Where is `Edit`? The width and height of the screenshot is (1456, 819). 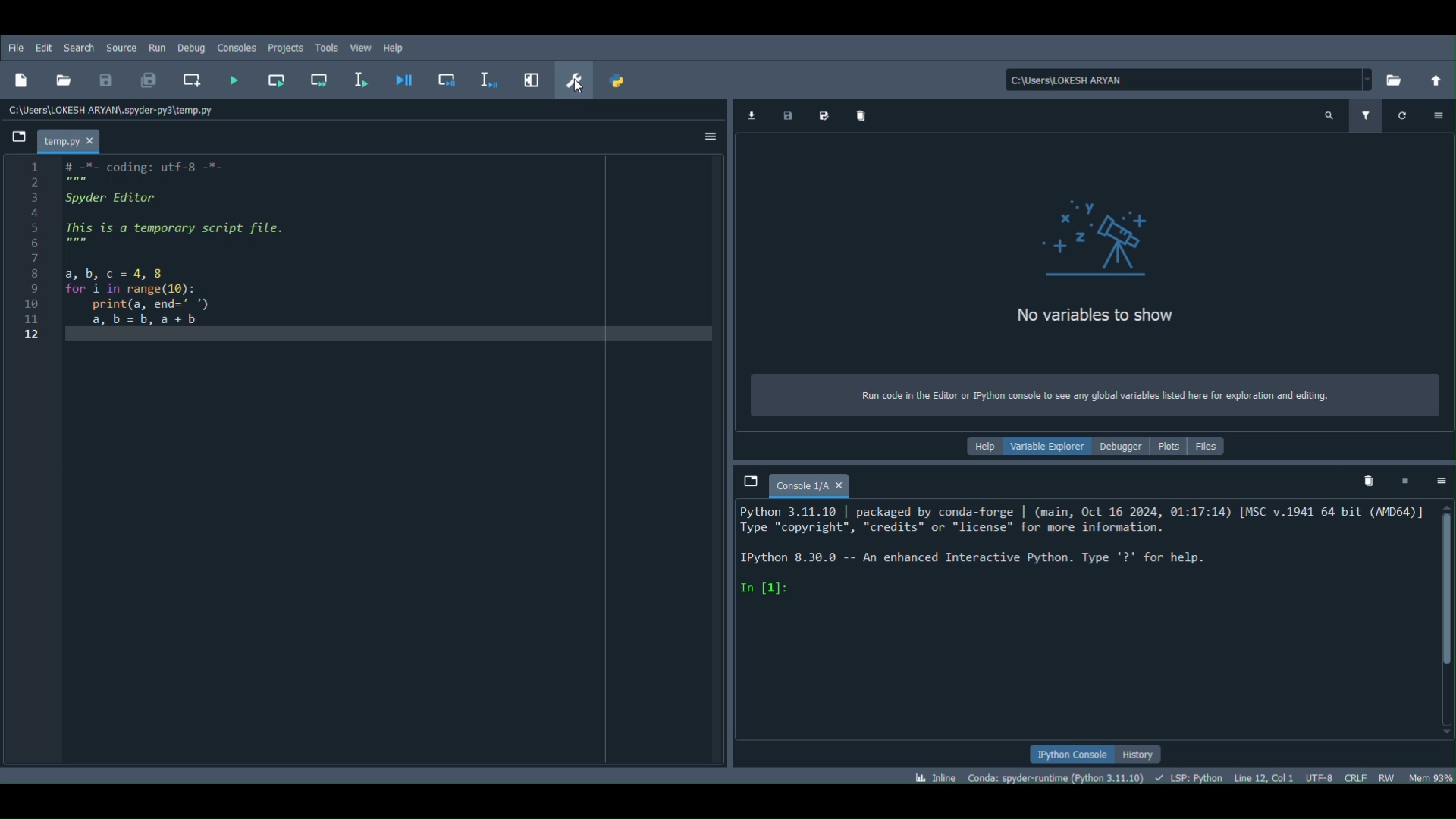 Edit is located at coordinates (45, 46).